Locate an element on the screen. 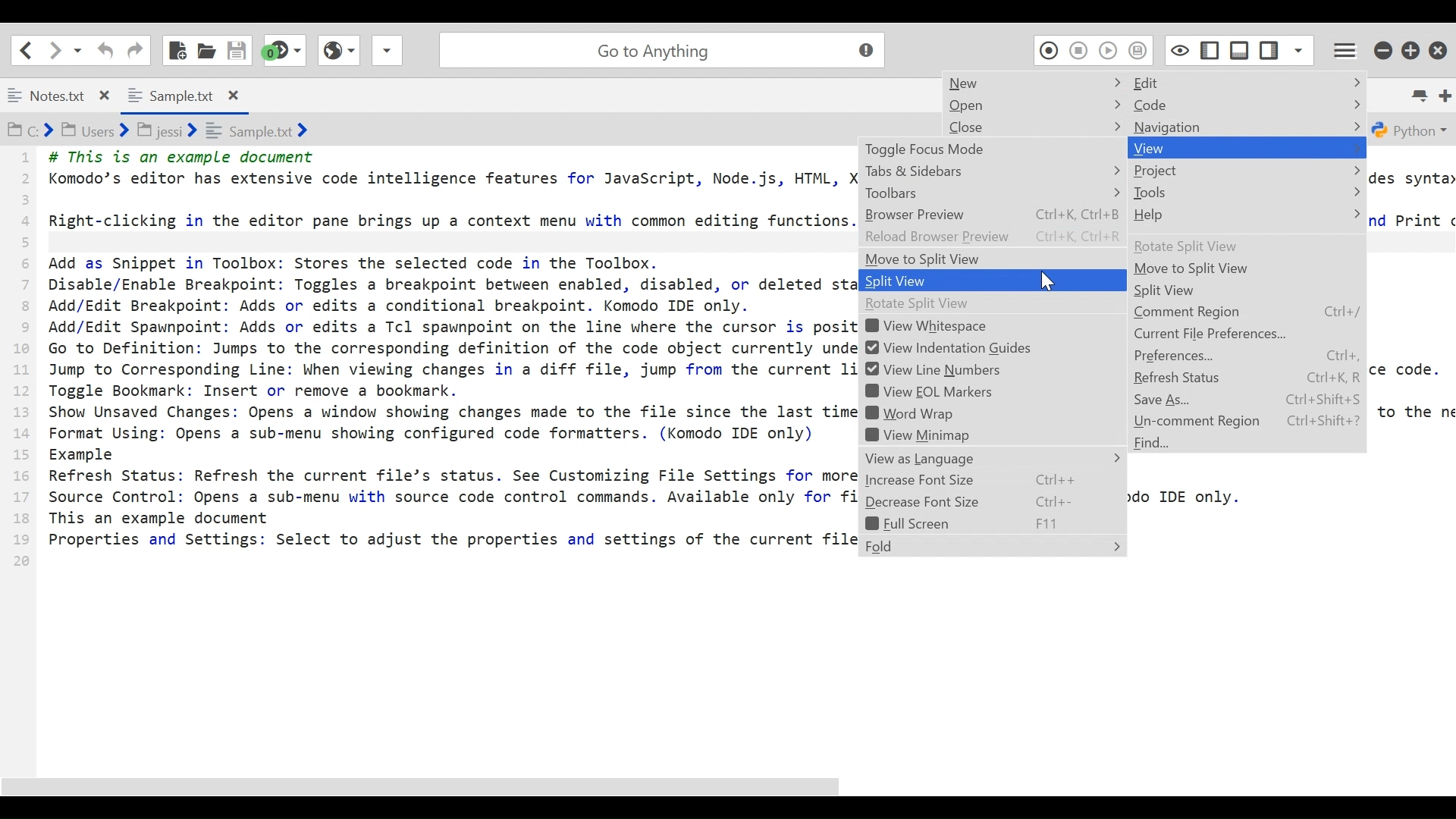 Image resolution: width=1456 pixels, height=819 pixels. Toolbars is located at coordinates (991, 191).